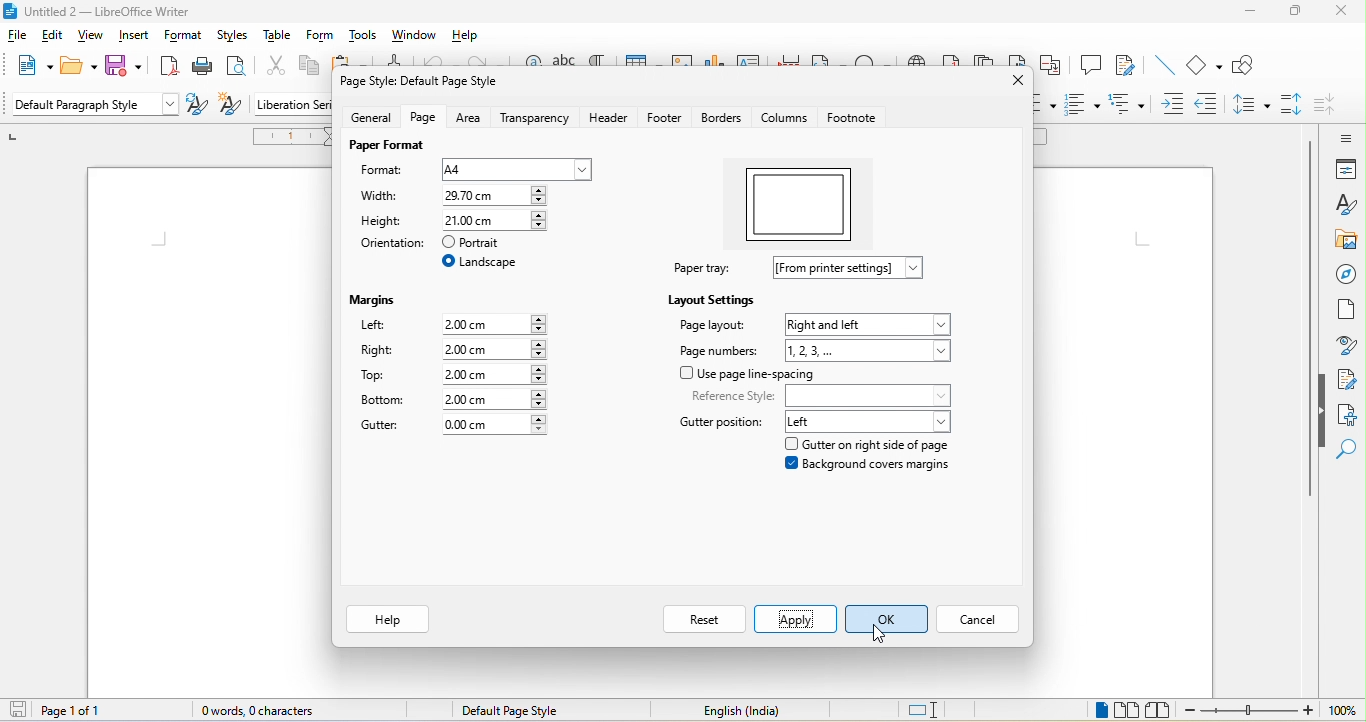 The image size is (1366, 722). What do you see at coordinates (1332, 105) in the screenshot?
I see `decrease paragraph spacing` at bounding box center [1332, 105].